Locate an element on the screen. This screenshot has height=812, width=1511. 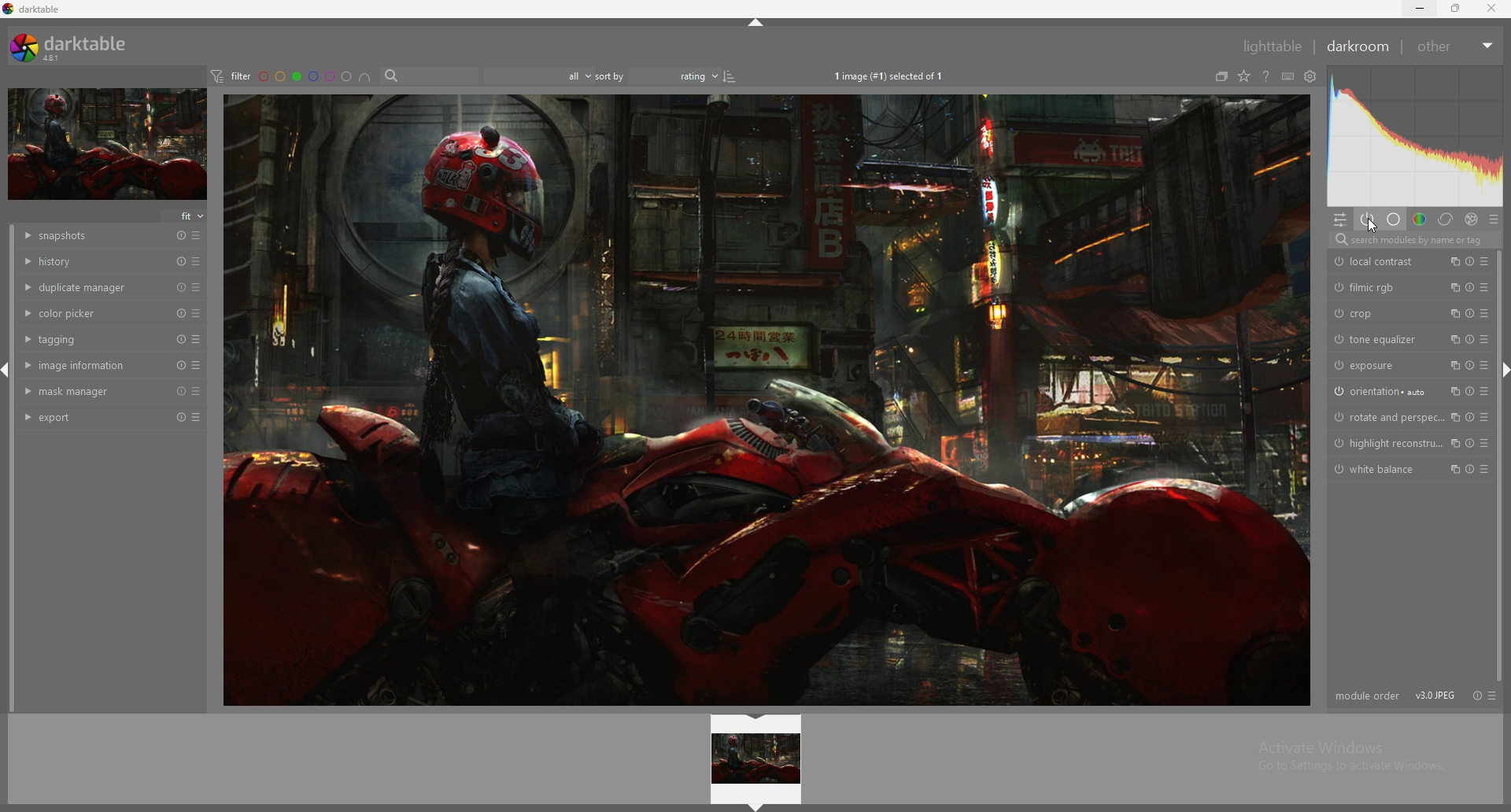
quic access panel is located at coordinates (1340, 220).